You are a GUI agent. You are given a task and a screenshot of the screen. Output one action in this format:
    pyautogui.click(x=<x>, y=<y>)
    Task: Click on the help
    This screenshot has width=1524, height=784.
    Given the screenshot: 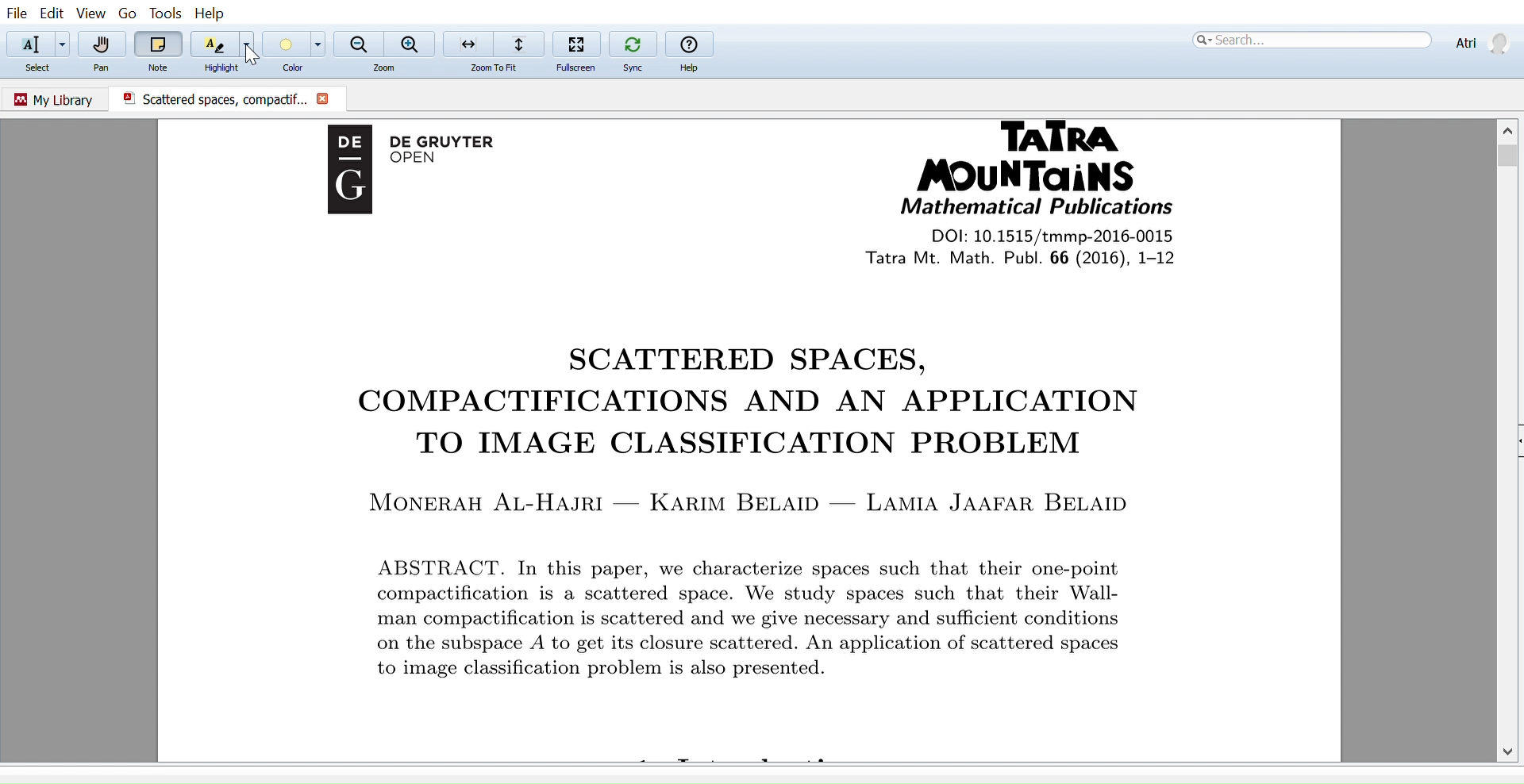 What is the action you would take?
    pyautogui.click(x=689, y=44)
    